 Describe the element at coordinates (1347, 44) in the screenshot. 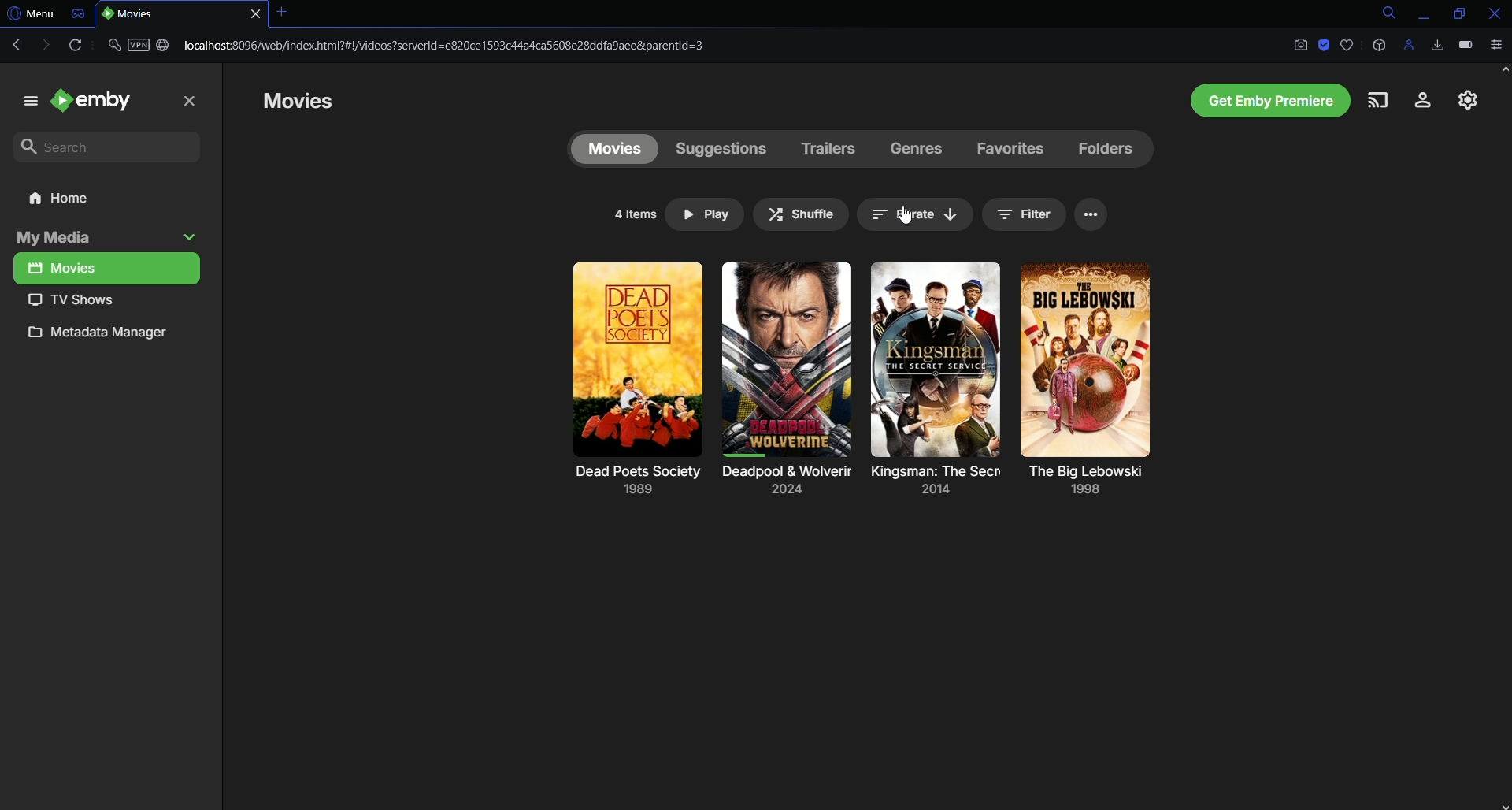

I see `Bookmark` at that location.